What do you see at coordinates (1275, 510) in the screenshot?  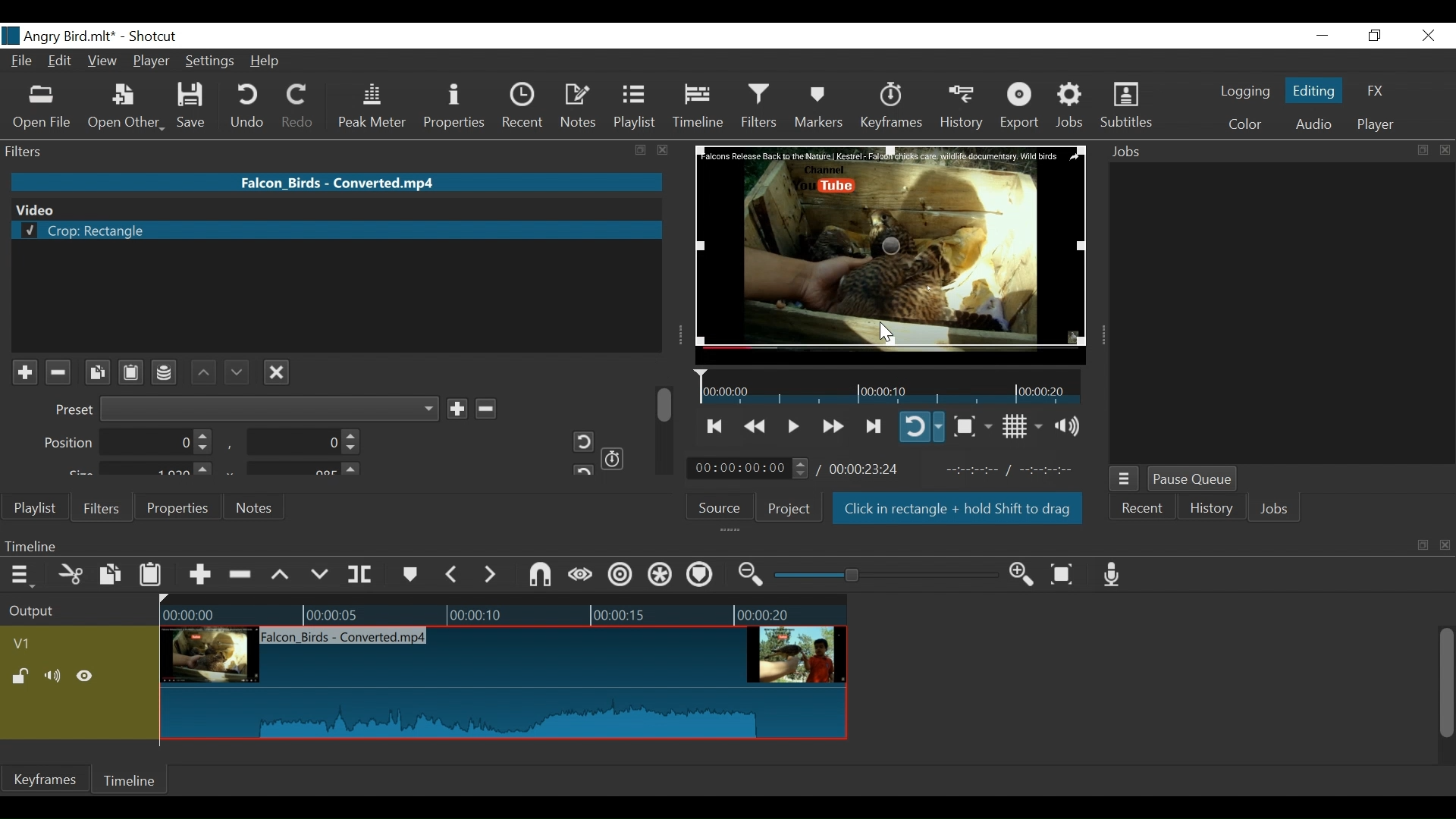 I see `Jobs` at bounding box center [1275, 510].